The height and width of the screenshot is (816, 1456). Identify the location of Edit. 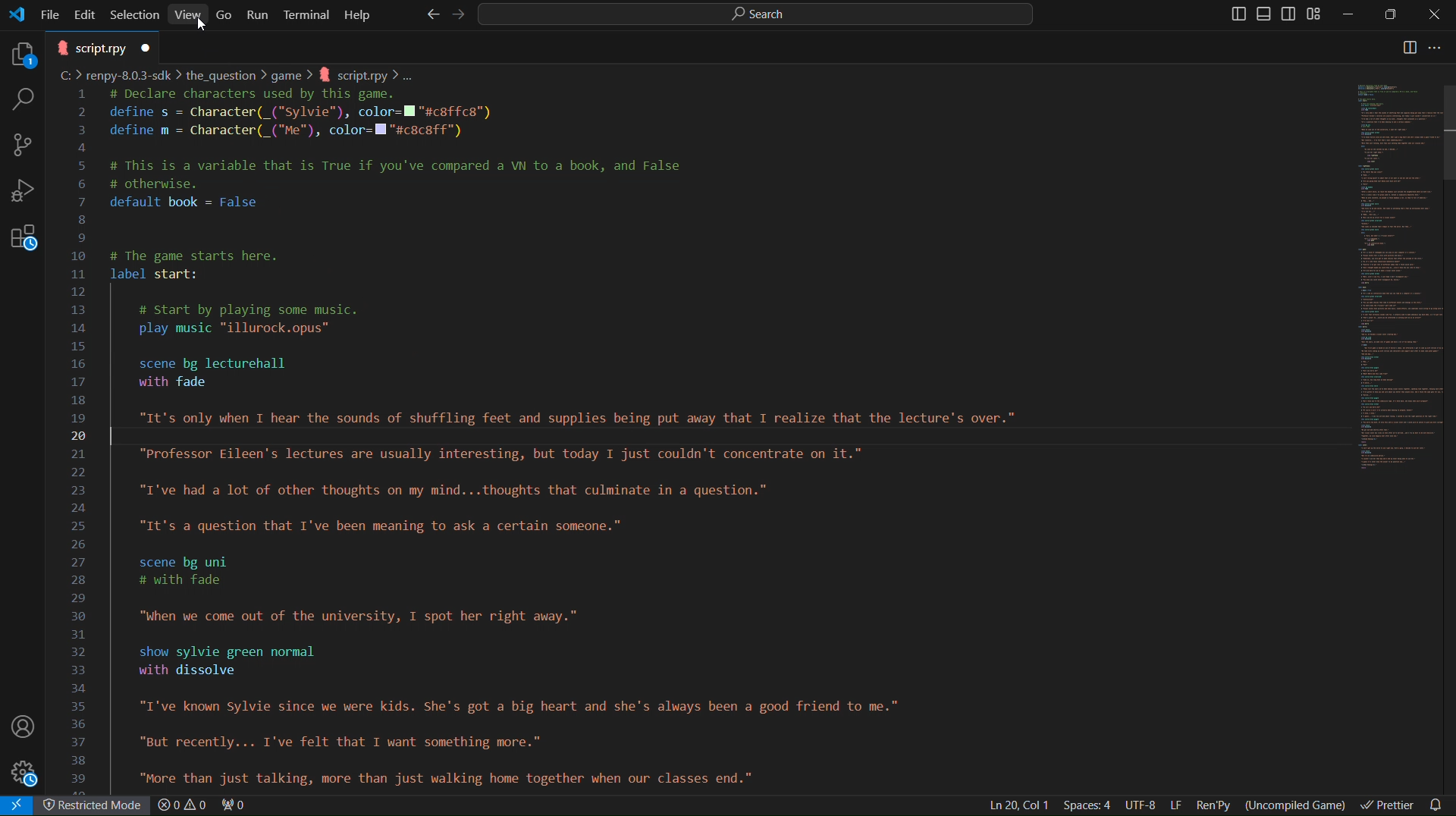
(87, 13).